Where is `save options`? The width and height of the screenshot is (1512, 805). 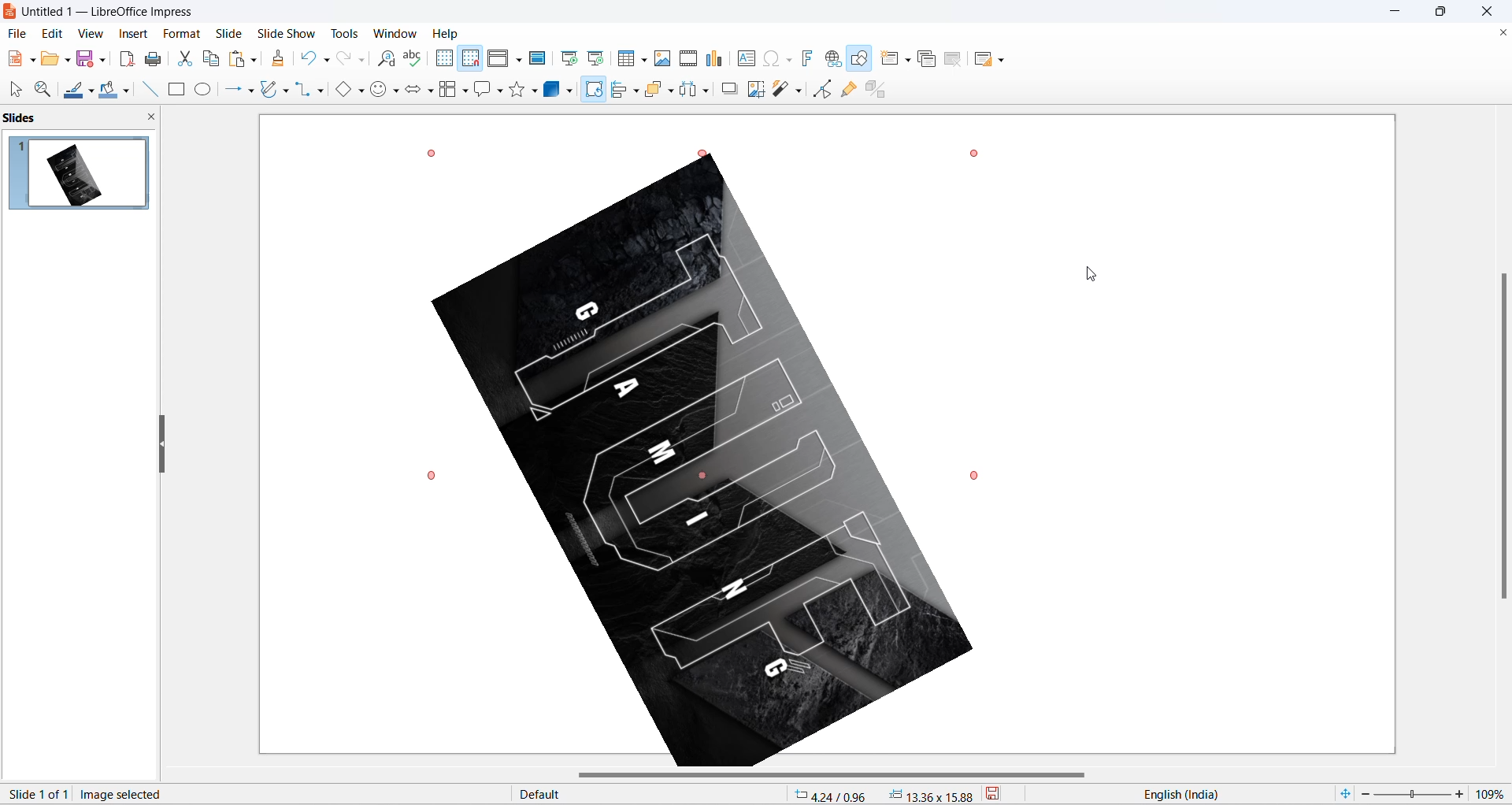 save options is located at coordinates (103, 58).